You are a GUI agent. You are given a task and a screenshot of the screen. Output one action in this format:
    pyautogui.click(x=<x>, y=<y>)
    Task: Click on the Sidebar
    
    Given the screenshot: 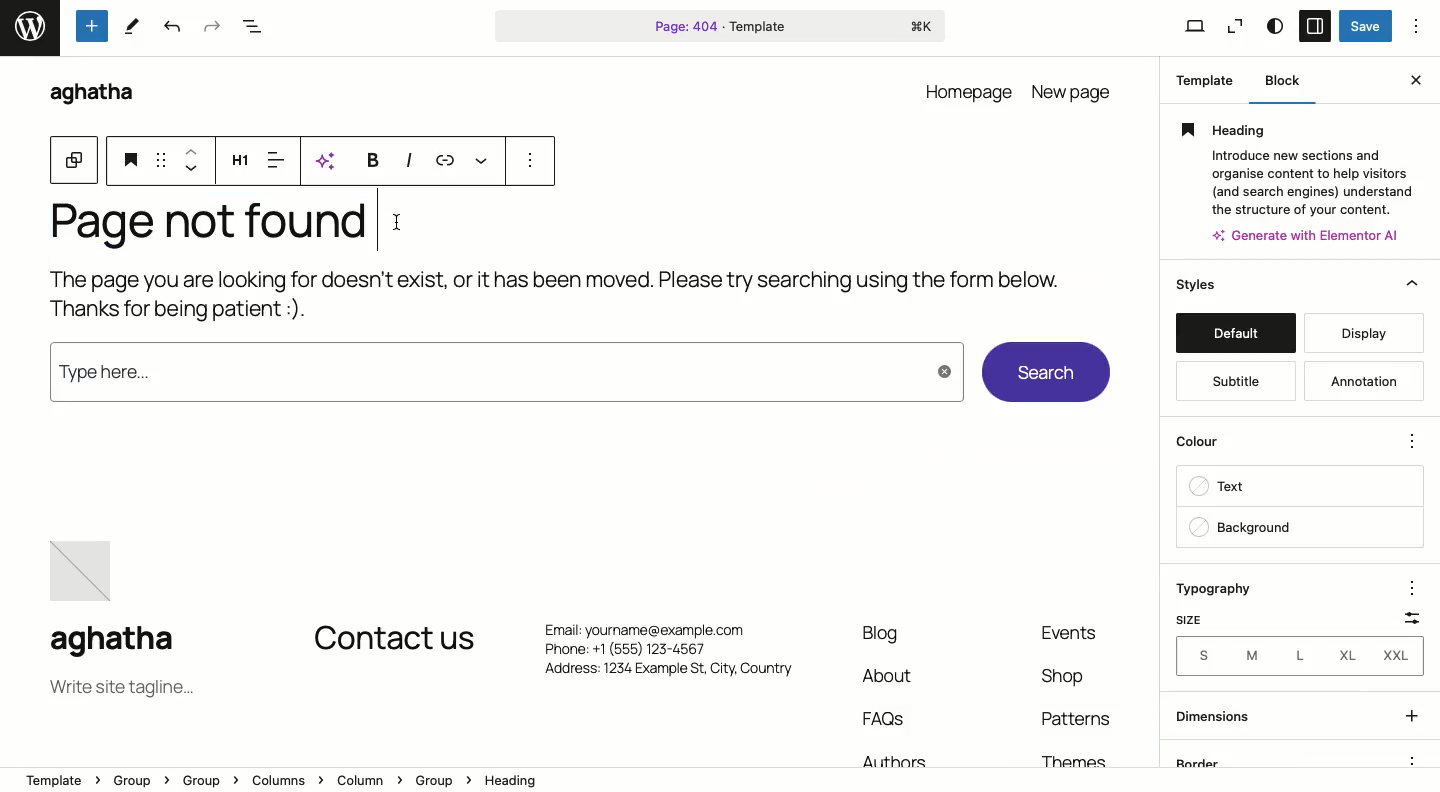 What is the action you would take?
    pyautogui.click(x=1316, y=26)
    